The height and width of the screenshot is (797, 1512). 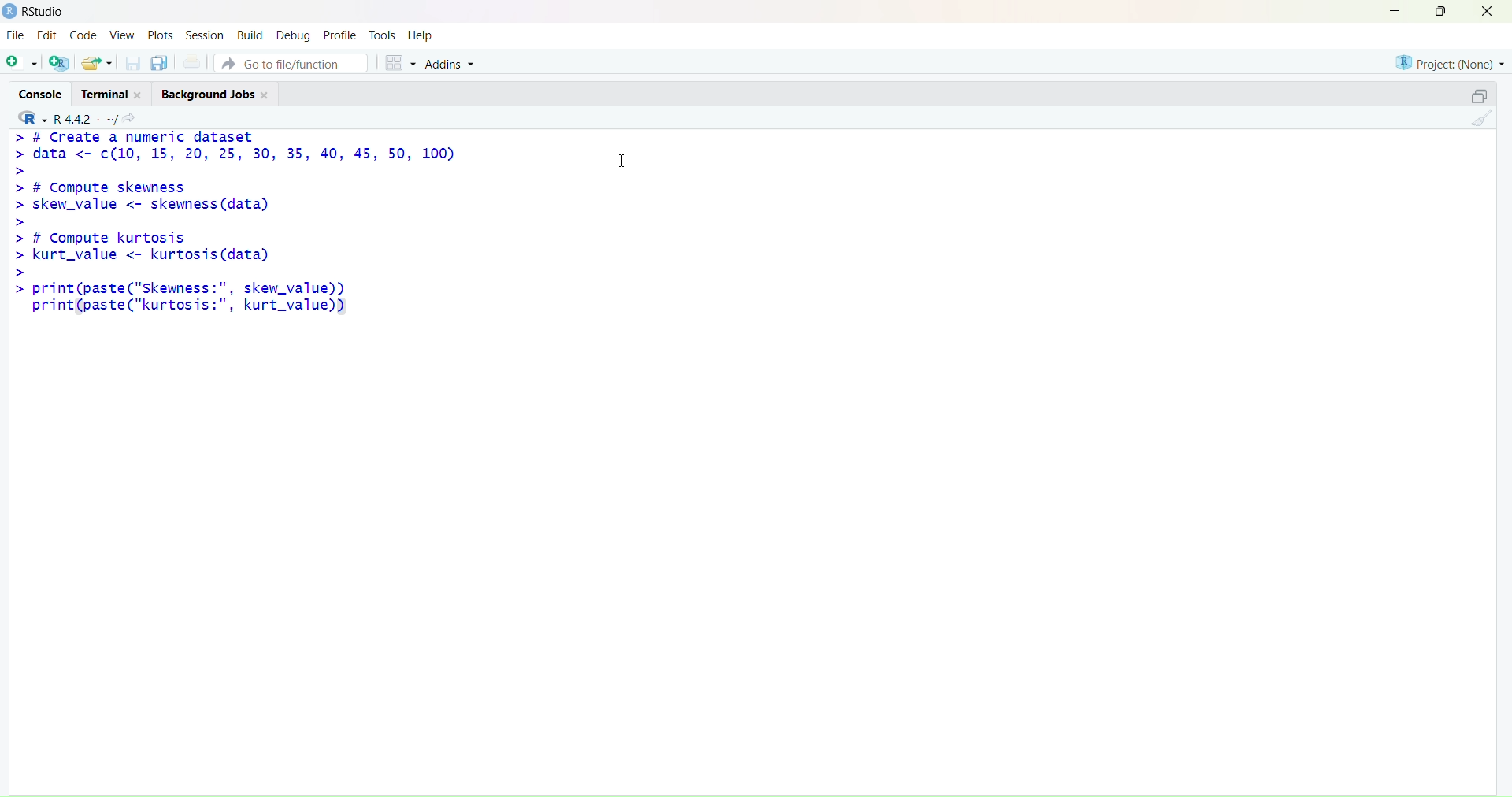 What do you see at coordinates (191, 63) in the screenshot?
I see `Print the current file` at bounding box center [191, 63].